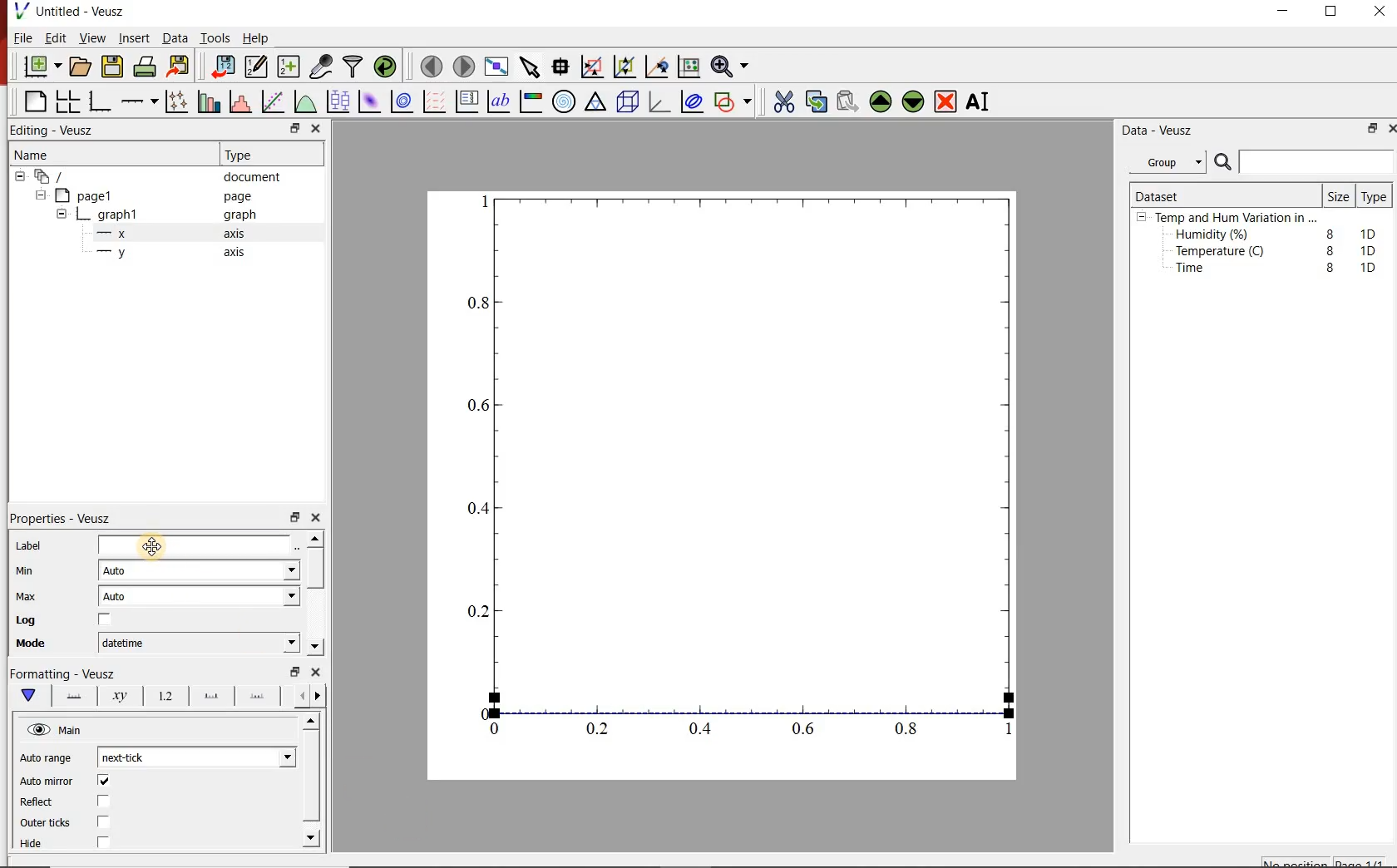 The height and width of the screenshot is (868, 1397). What do you see at coordinates (321, 696) in the screenshot?
I see `go forward` at bounding box center [321, 696].